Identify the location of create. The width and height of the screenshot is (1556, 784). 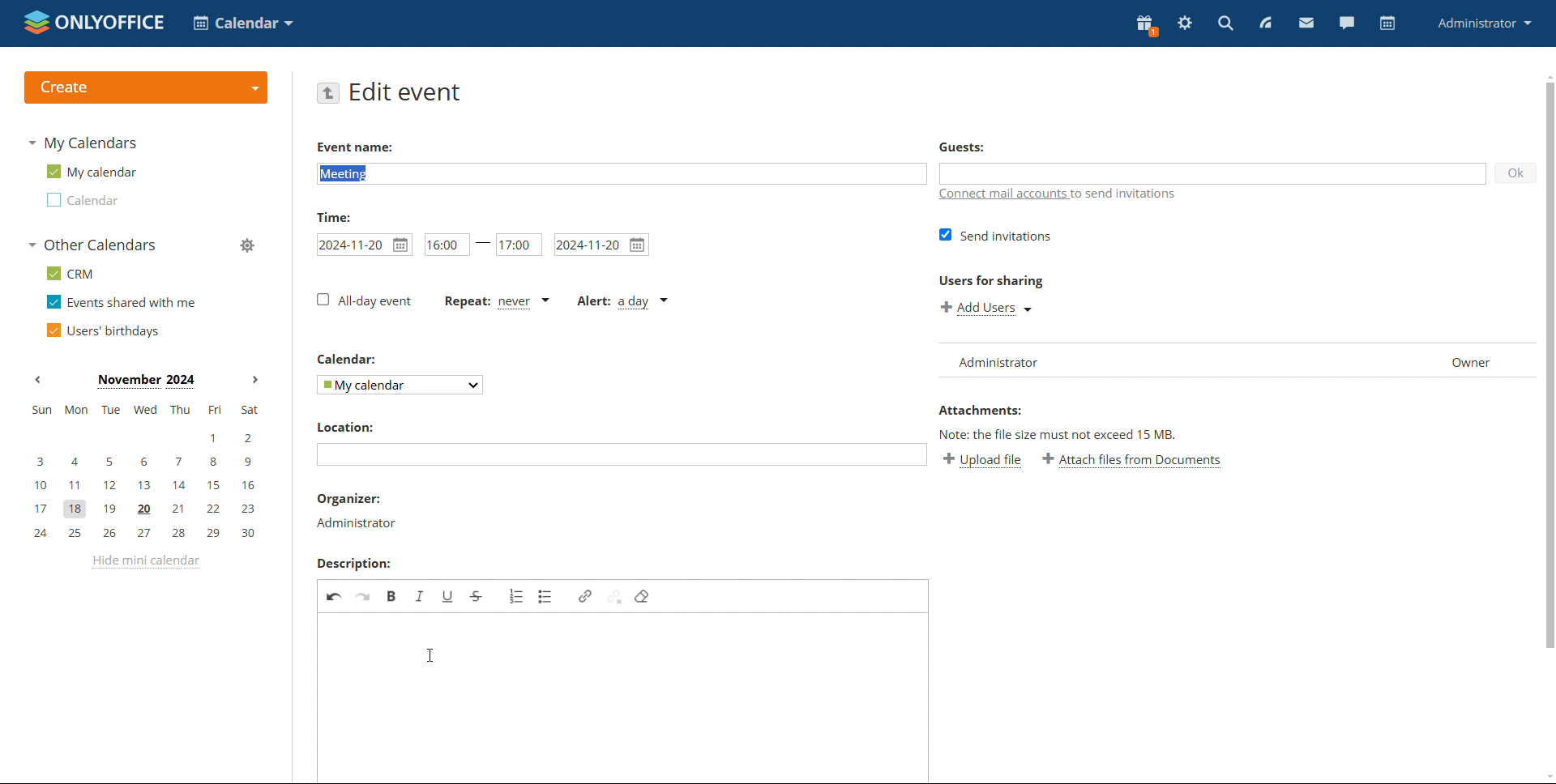
(147, 88).